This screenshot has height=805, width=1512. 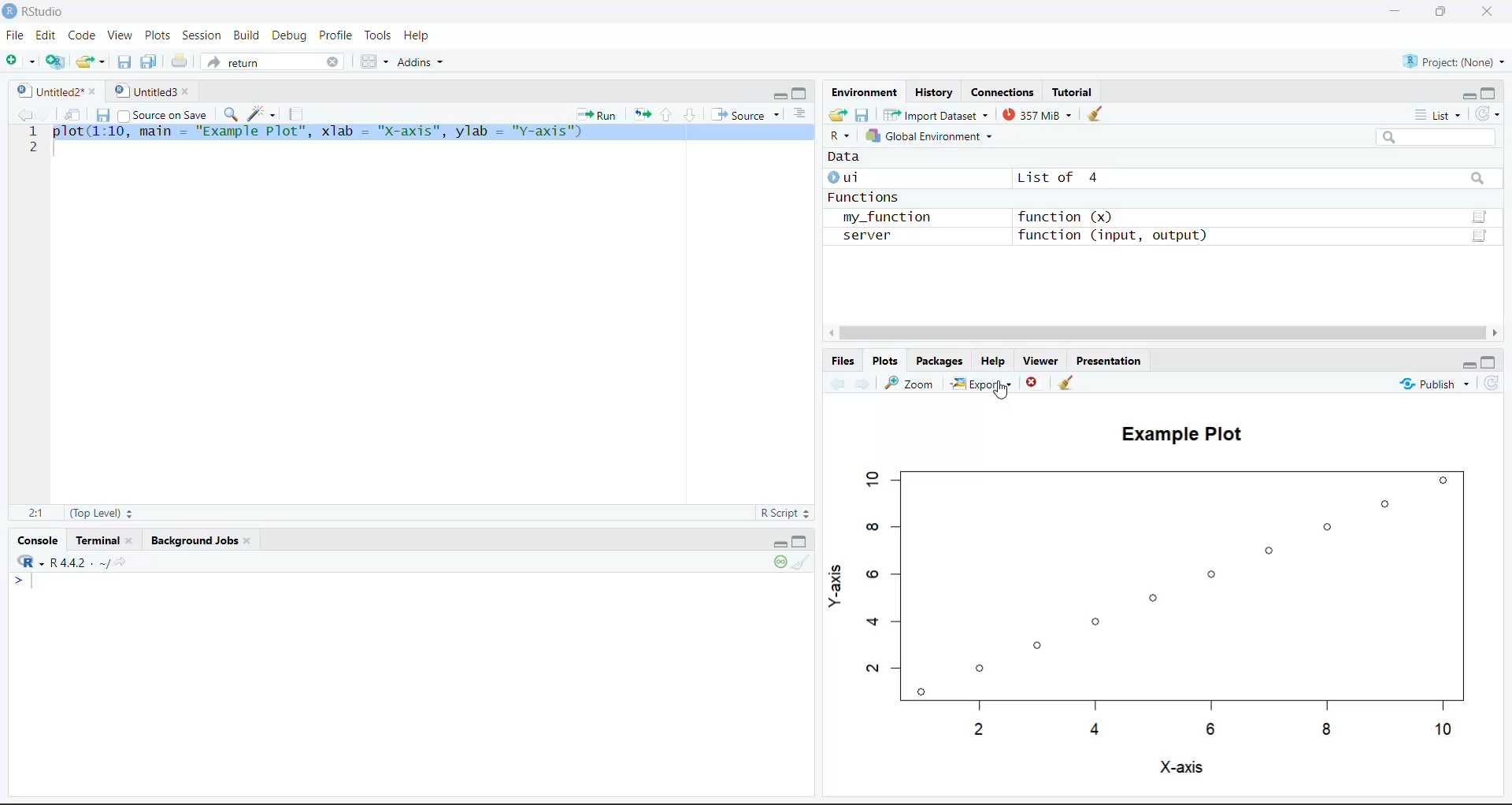 What do you see at coordinates (782, 563) in the screenshot?
I see `Session suspend timeout` at bounding box center [782, 563].